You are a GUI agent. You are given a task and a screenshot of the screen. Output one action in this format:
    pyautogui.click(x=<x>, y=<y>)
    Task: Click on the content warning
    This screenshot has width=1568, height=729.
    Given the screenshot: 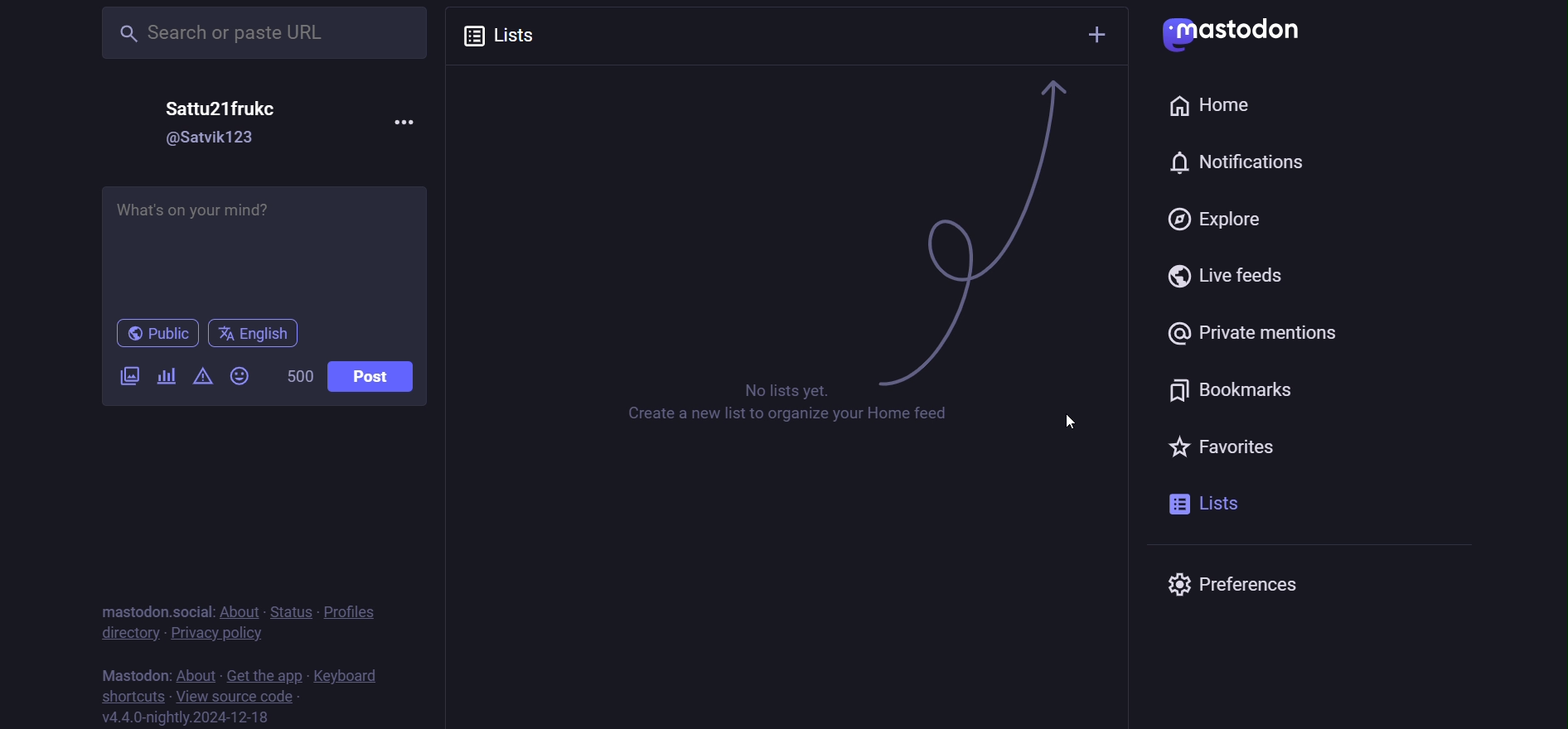 What is the action you would take?
    pyautogui.click(x=202, y=375)
    